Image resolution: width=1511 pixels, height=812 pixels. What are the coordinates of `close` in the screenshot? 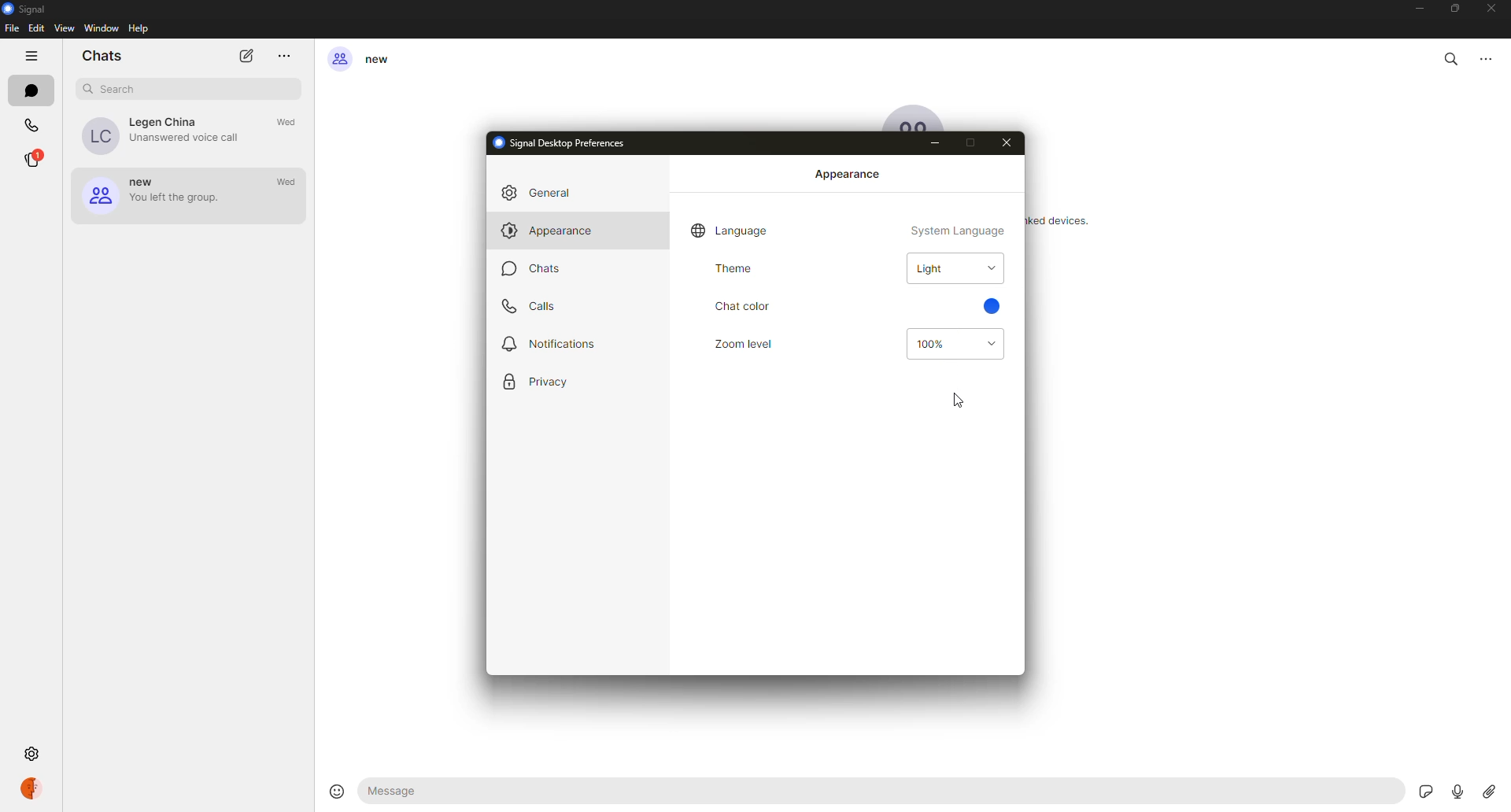 It's located at (1493, 8).